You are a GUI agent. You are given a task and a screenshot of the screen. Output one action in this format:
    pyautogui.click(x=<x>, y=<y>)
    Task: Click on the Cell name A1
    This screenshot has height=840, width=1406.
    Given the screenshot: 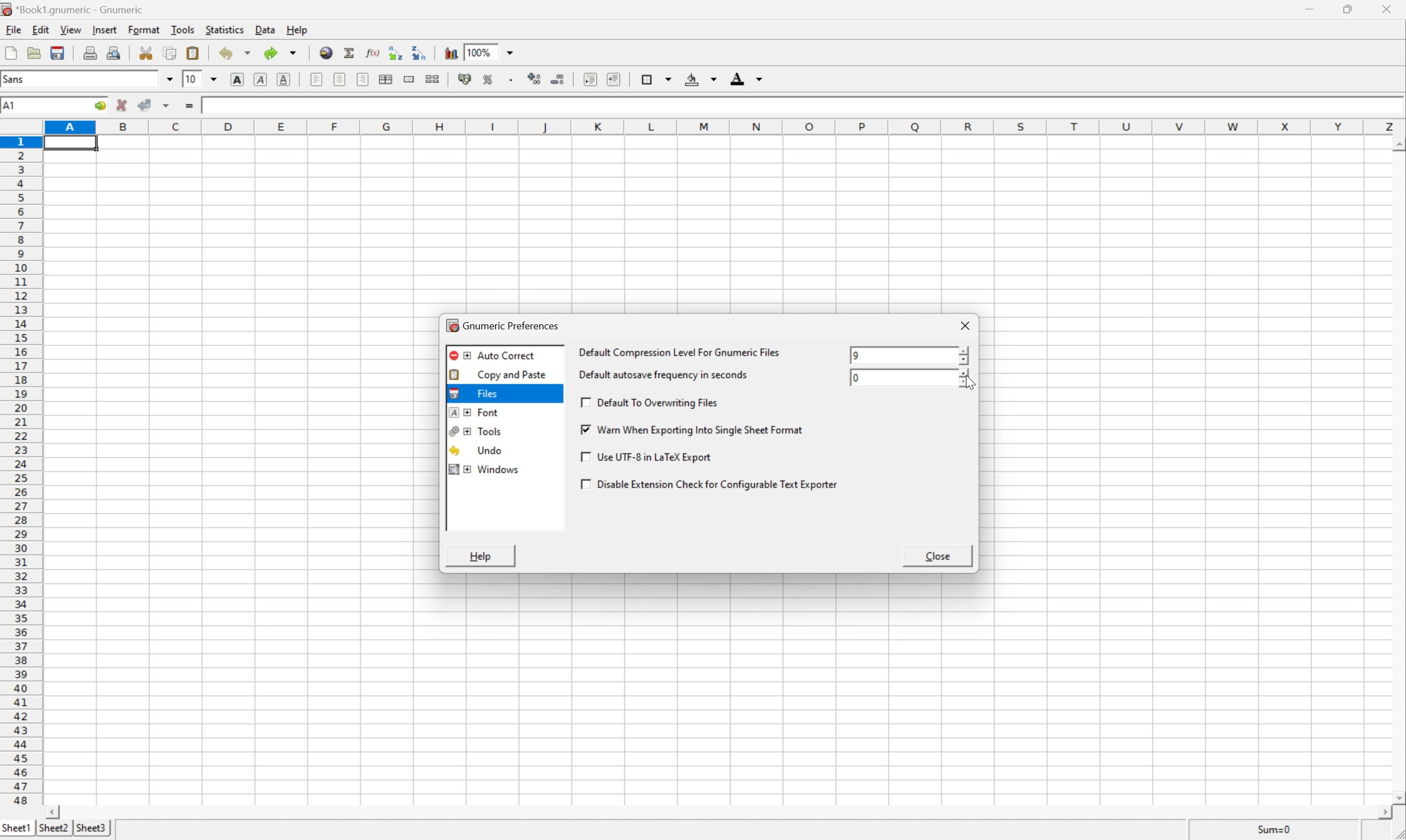 What is the action you would take?
    pyautogui.click(x=39, y=106)
    